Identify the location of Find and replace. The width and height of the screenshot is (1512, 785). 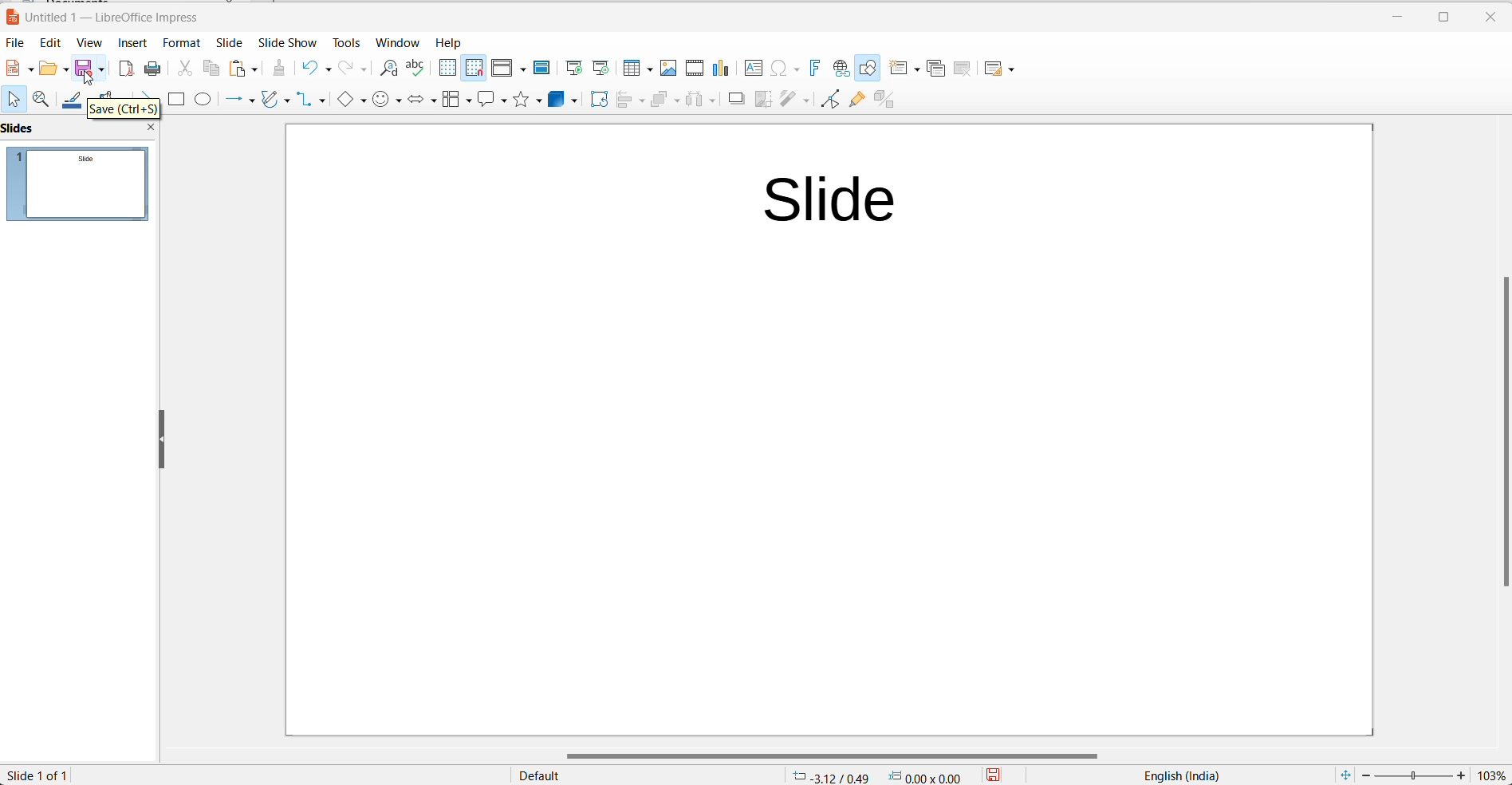
(388, 67).